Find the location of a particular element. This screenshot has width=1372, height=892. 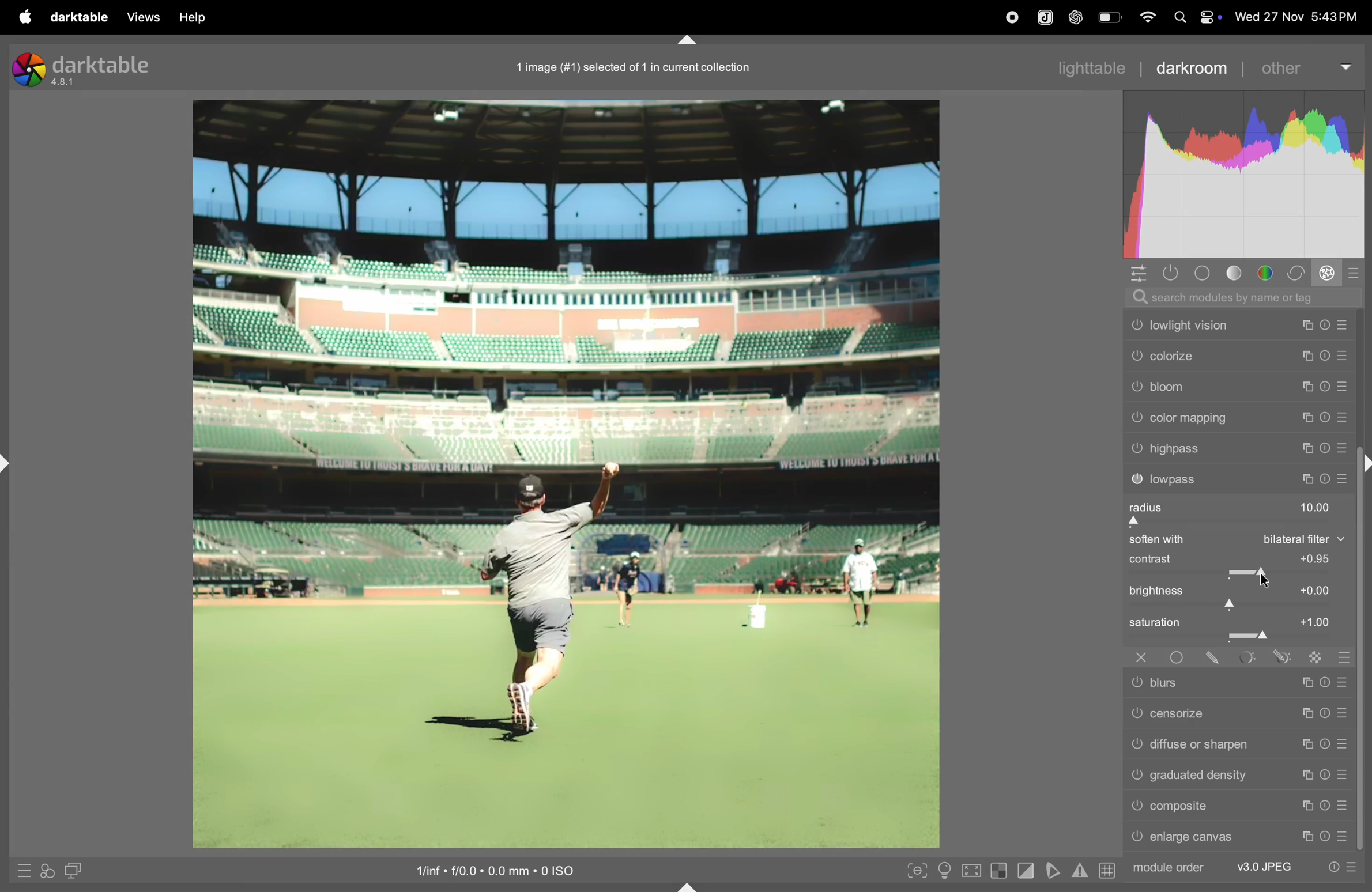

diffuse or sharpen is located at coordinates (1239, 744).